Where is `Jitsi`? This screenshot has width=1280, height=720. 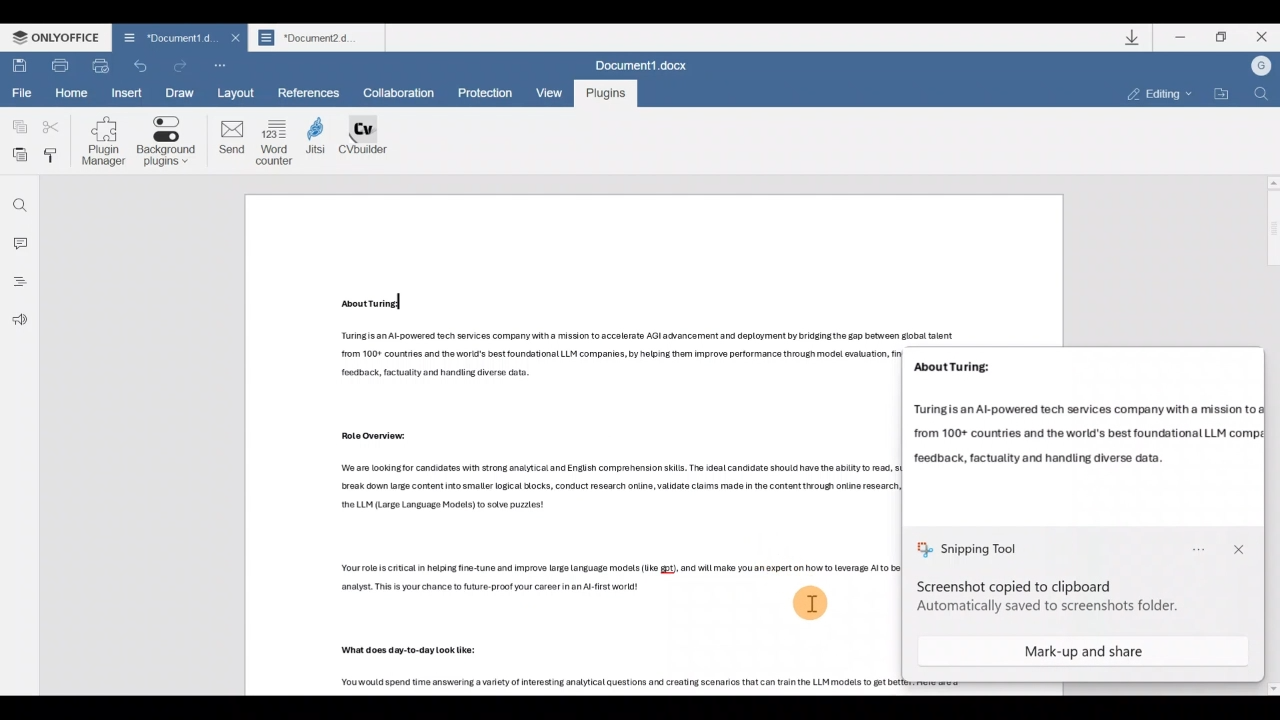
Jitsi is located at coordinates (318, 139).